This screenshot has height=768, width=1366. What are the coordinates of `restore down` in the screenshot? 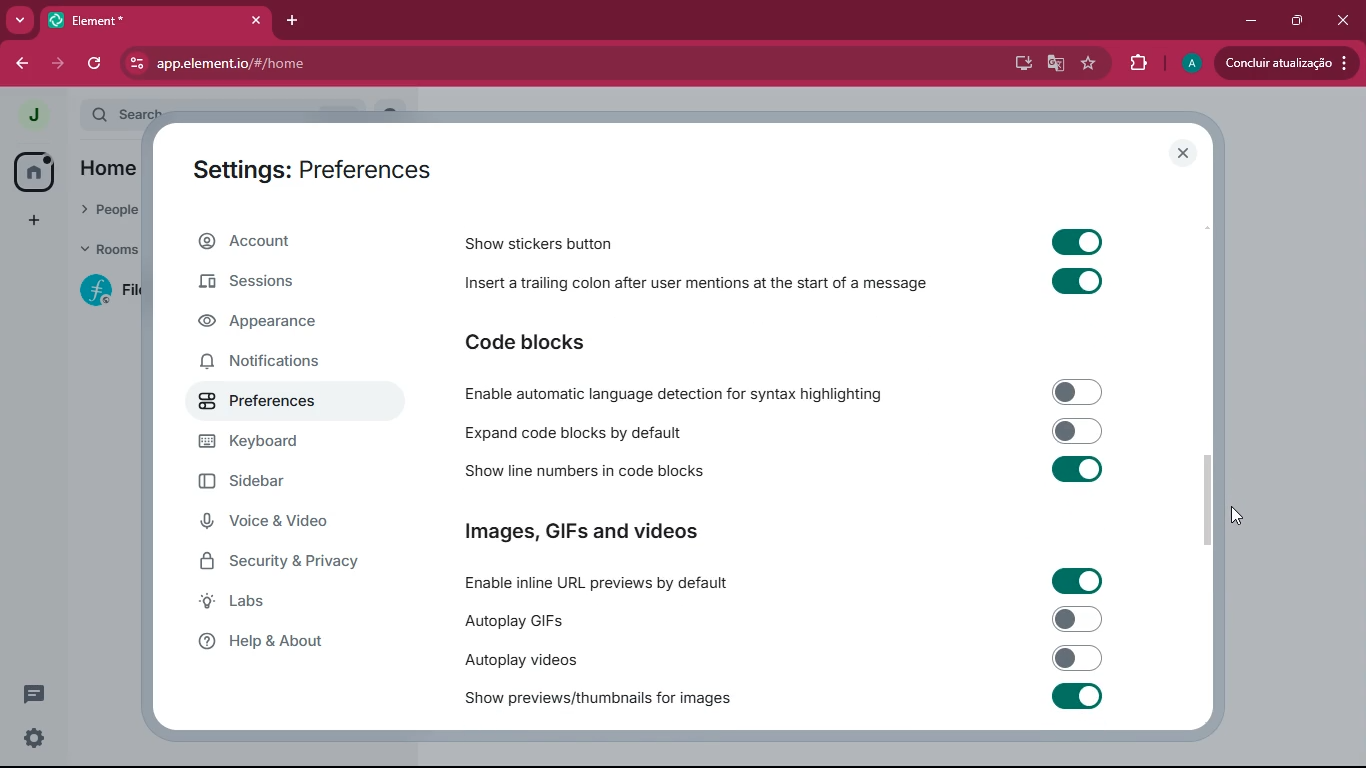 It's located at (1295, 20).